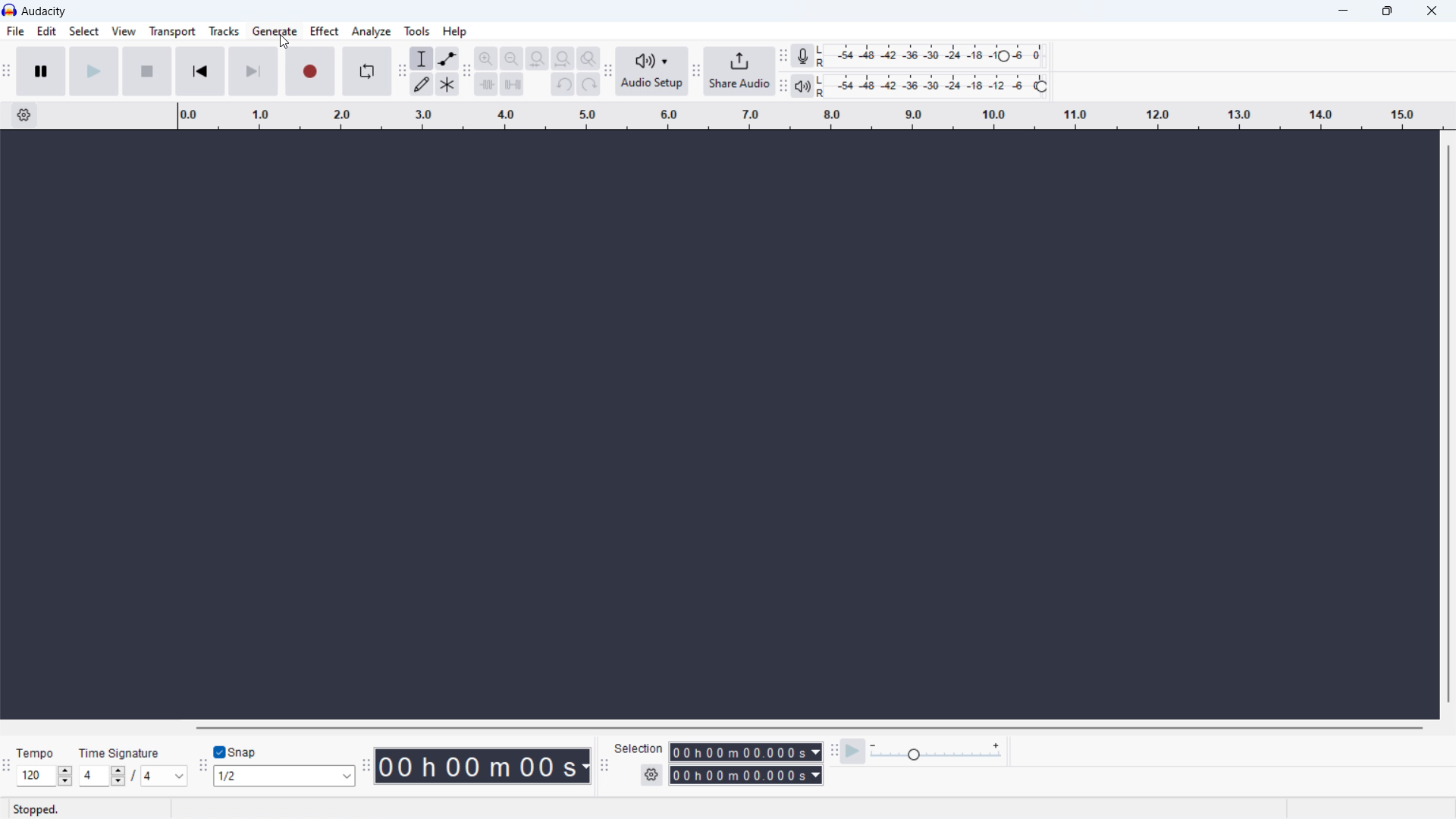 This screenshot has width=1456, height=819. Describe the element at coordinates (45, 11) in the screenshot. I see `title` at that location.